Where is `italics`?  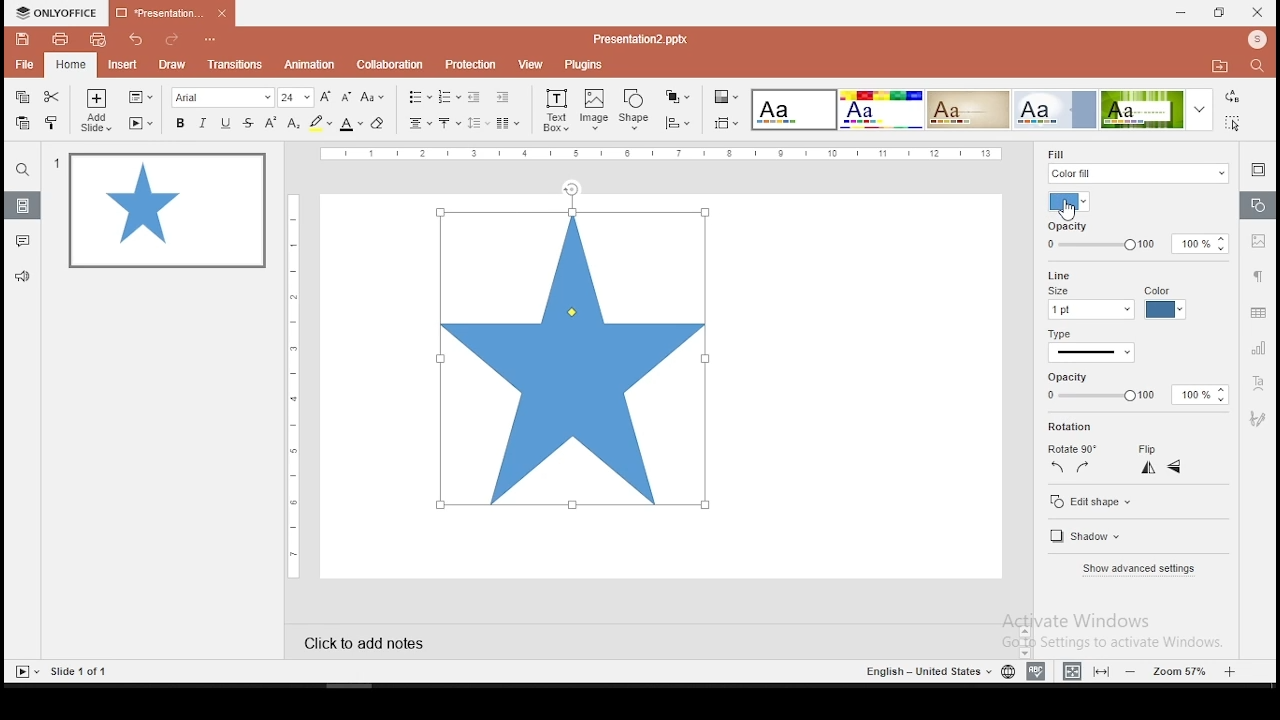
italics is located at coordinates (202, 123).